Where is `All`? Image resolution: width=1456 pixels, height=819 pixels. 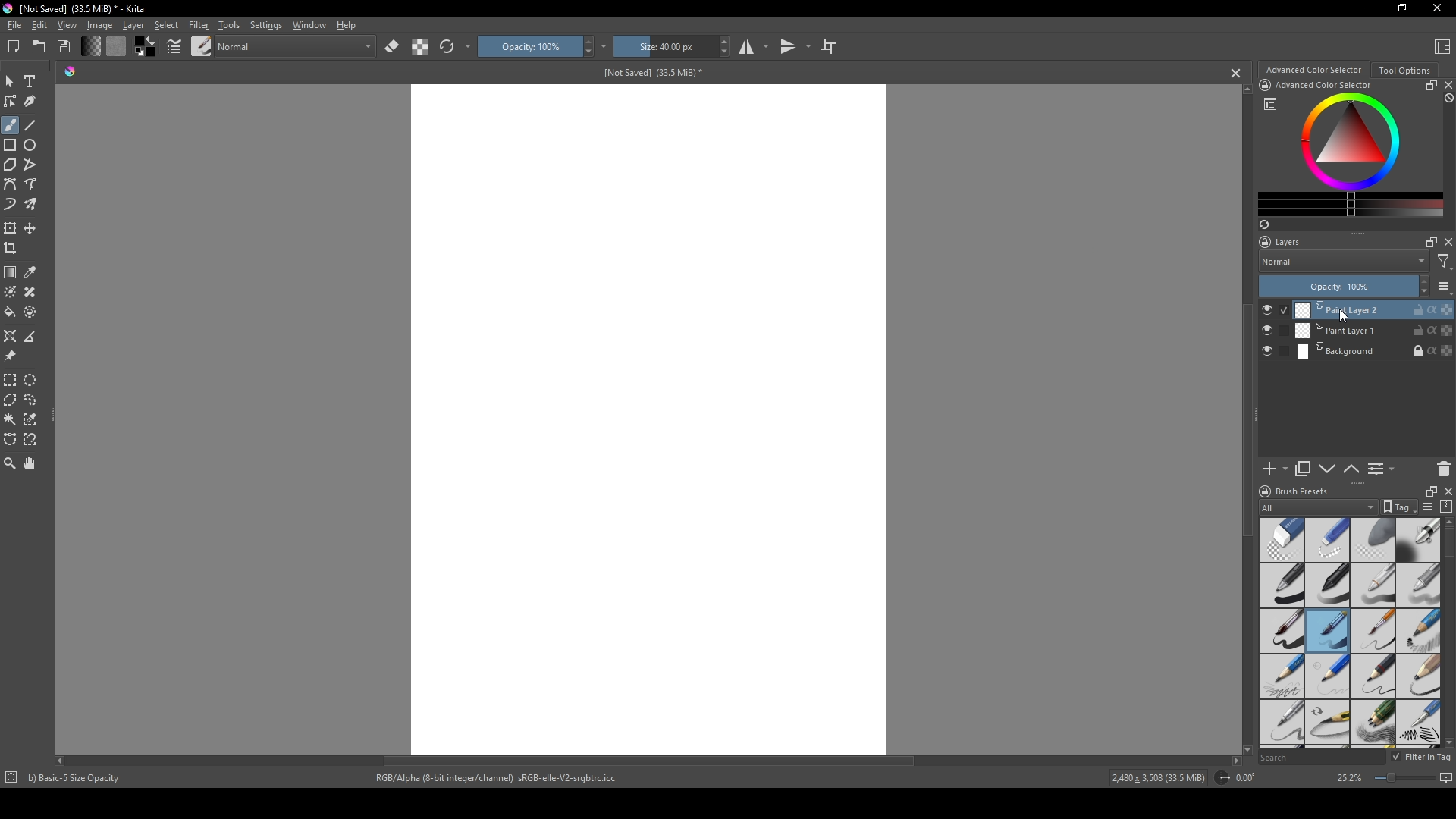
All is located at coordinates (1318, 507).